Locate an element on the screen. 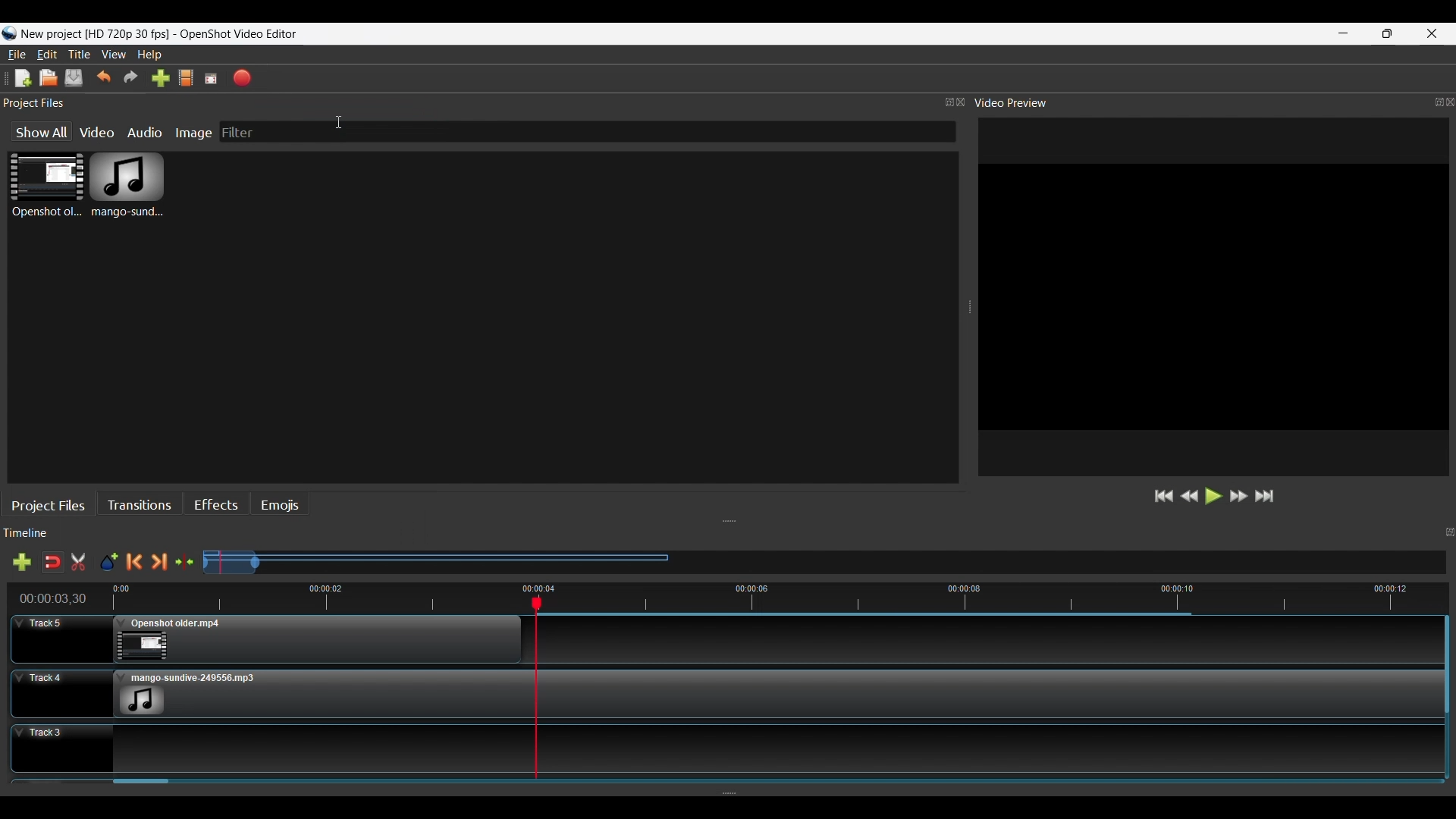 This screenshot has height=819, width=1456. Image is located at coordinates (193, 133).